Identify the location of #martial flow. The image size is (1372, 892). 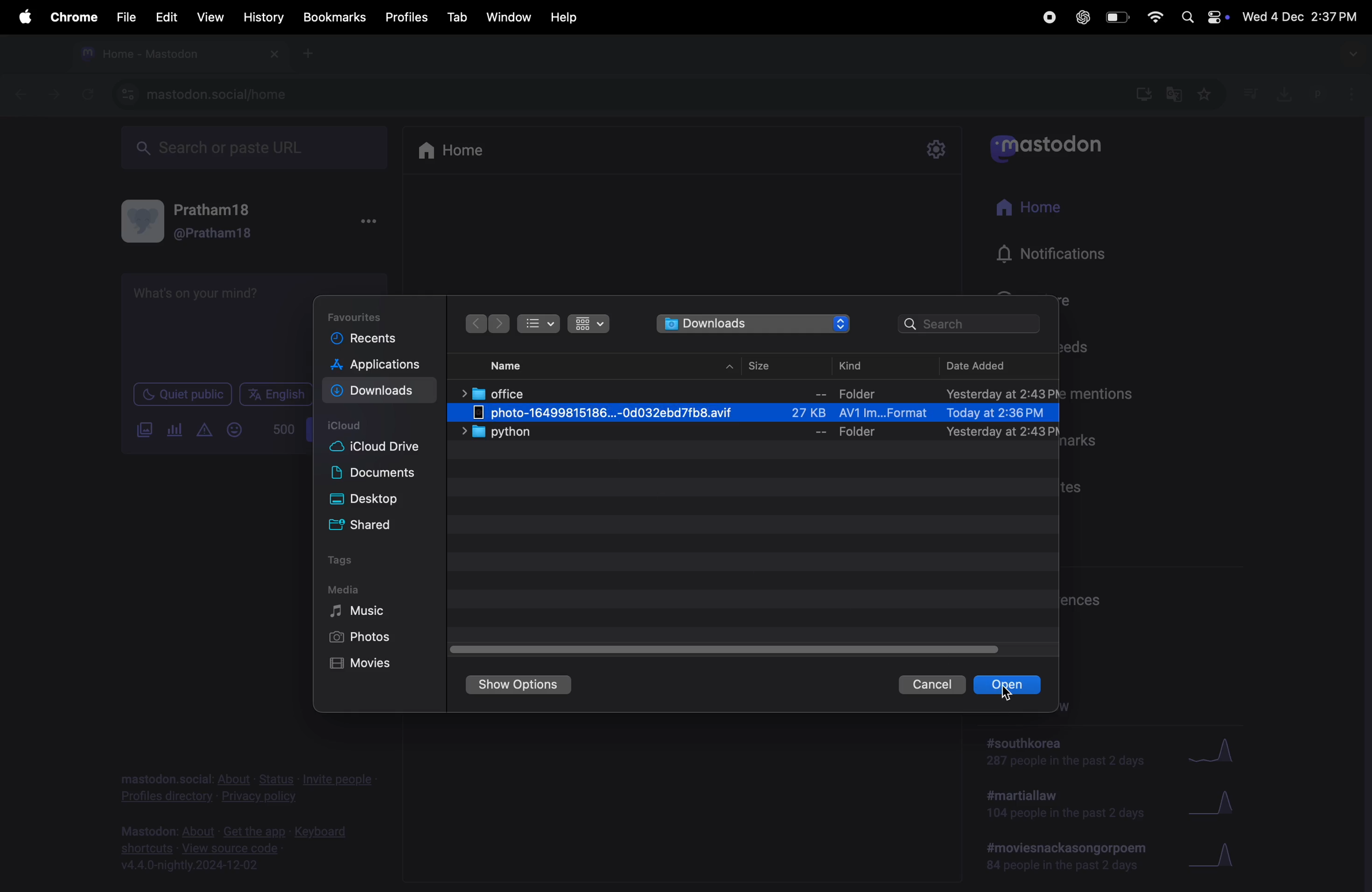
(1067, 805).